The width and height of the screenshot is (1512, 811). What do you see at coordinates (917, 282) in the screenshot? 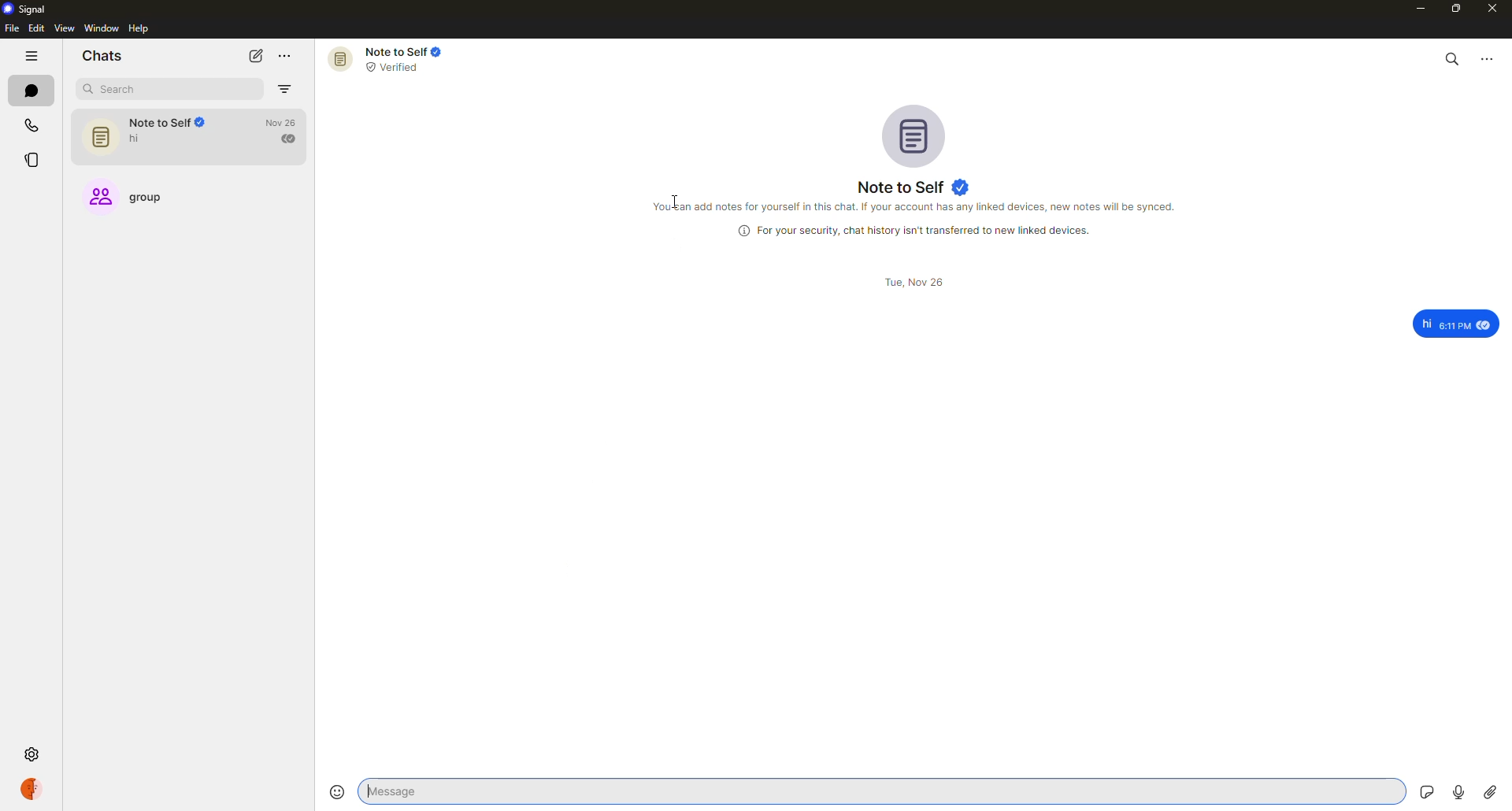
I see `date` at bounding box center [917, 282].